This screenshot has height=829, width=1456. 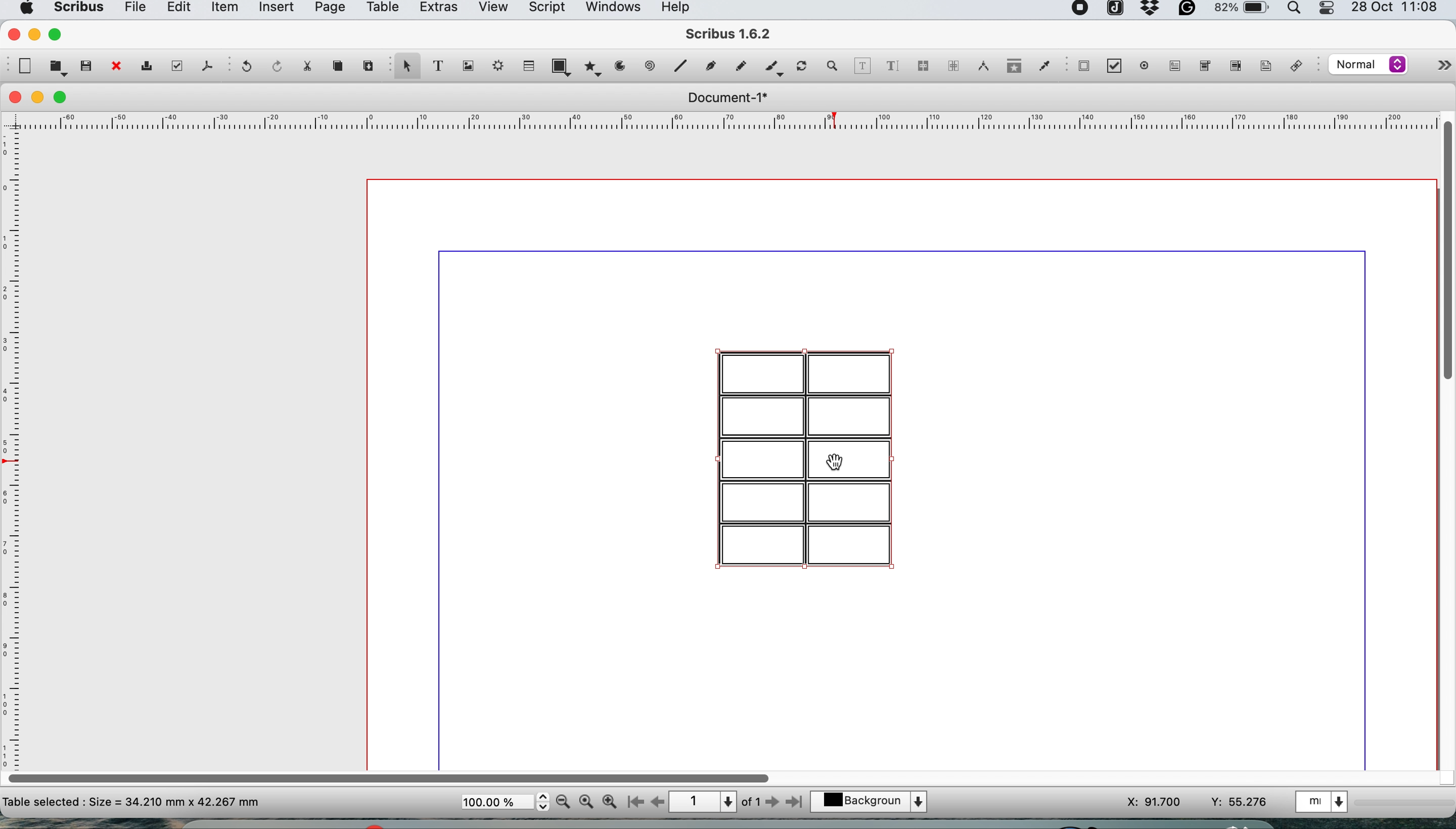 What do you see at coordinates (840, 462) in the screenshot?
I see `cursor` at bounding box center [840, 462].